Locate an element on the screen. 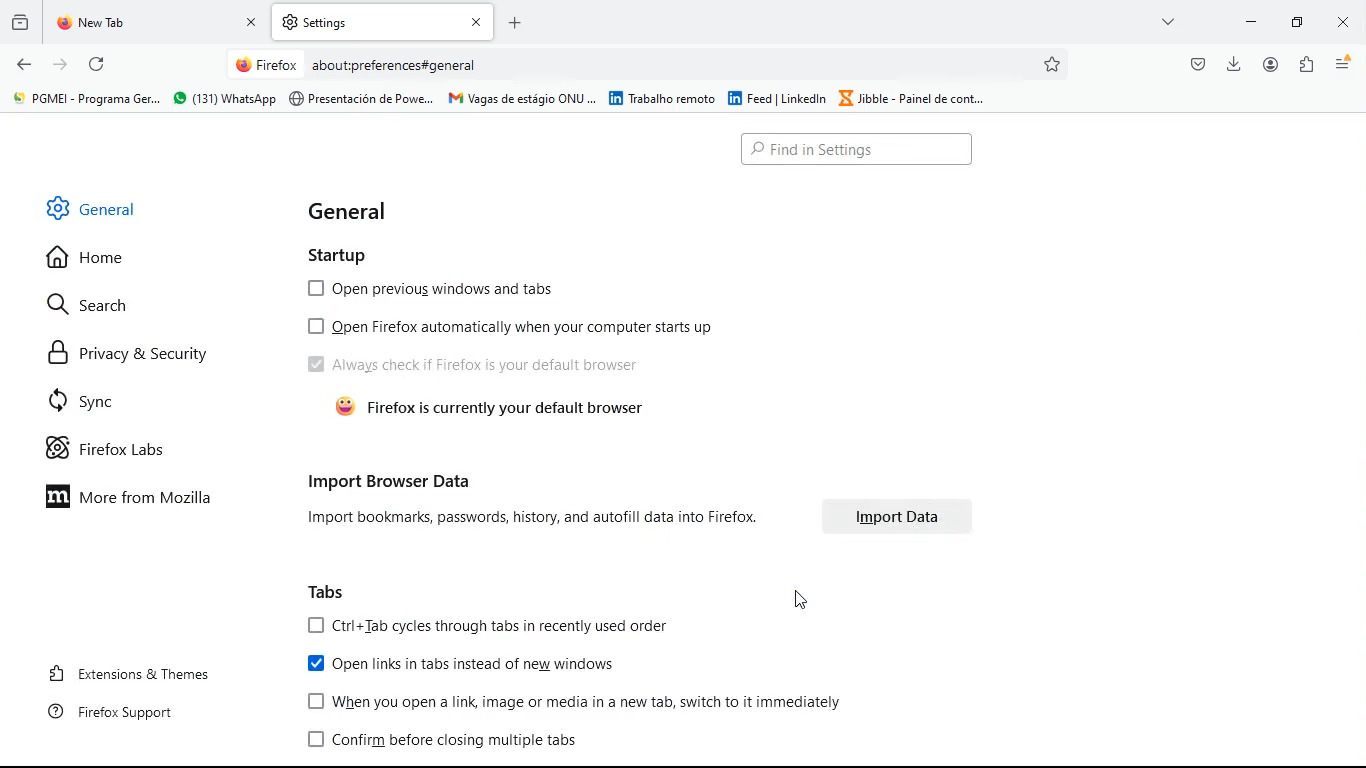  favorites is located at coordinates (1053, 64).